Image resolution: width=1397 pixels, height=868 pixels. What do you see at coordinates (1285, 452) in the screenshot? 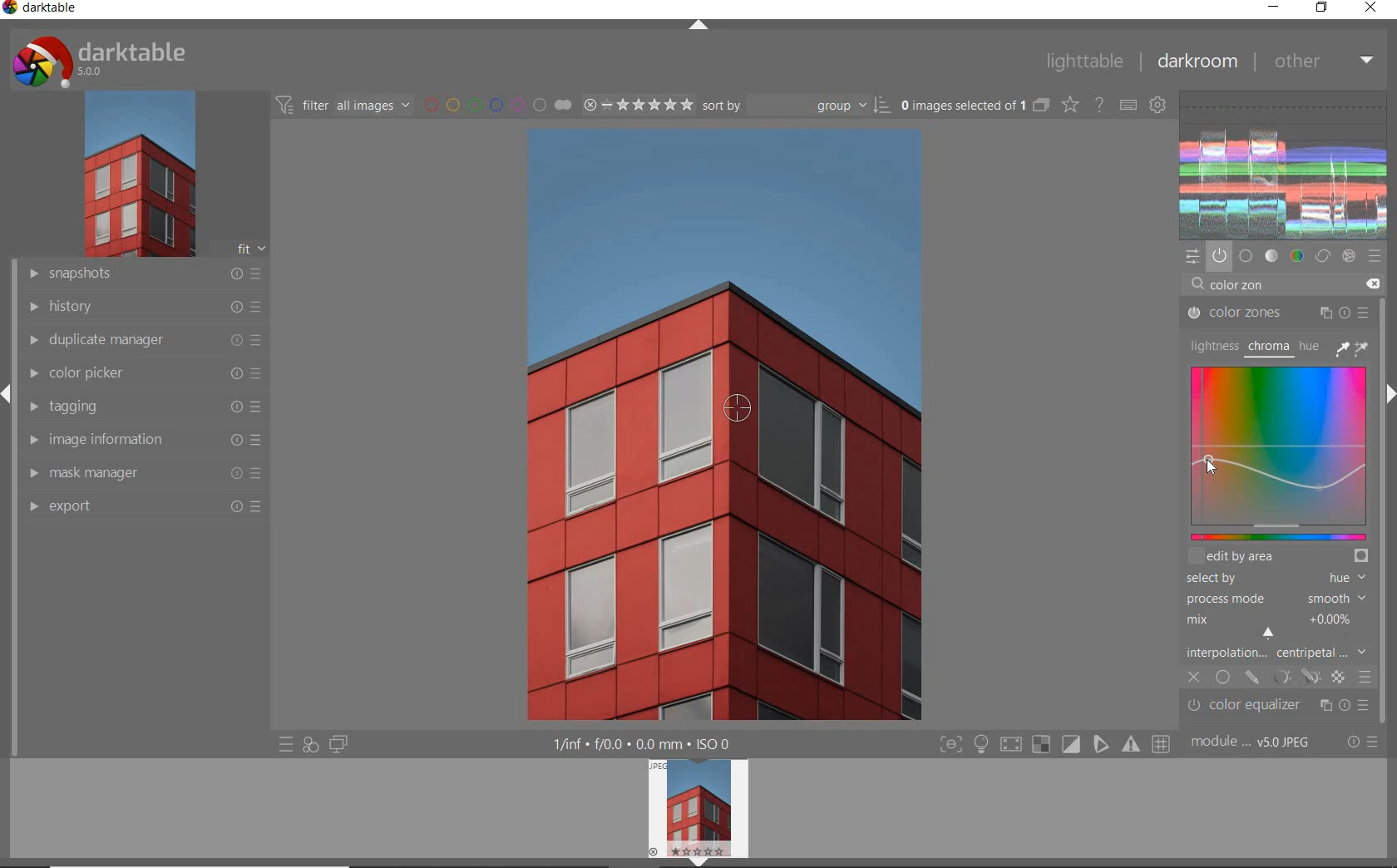
I see `MAP` at bounding box center [1285, 452].